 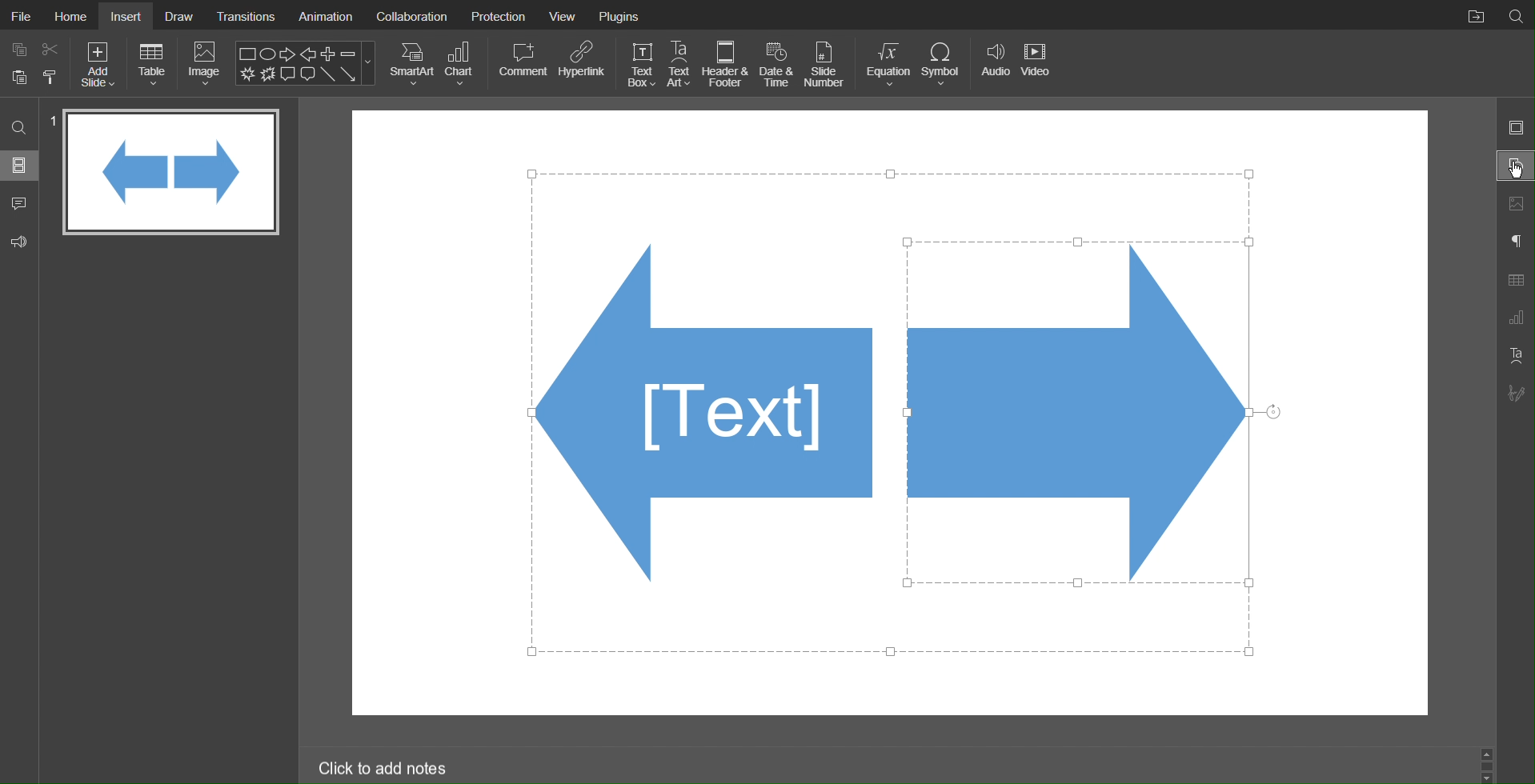 What do you see at coordinates (1516, 15) in the screenshot?
I see `Search` at bounding box center [1516, 15].